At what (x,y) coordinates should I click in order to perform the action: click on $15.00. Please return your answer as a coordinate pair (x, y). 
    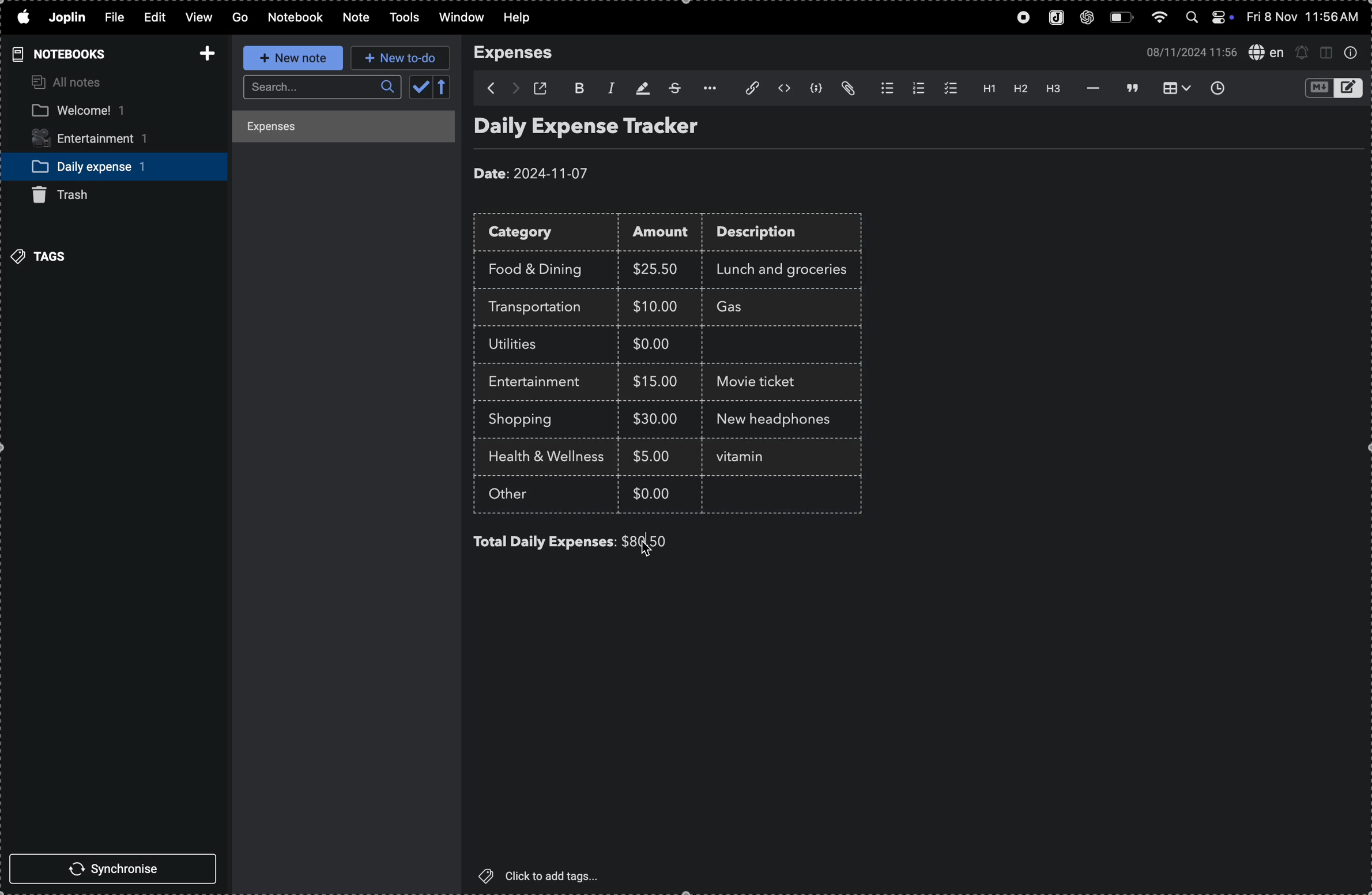
    Looking at the image, I should click on (656, 381).